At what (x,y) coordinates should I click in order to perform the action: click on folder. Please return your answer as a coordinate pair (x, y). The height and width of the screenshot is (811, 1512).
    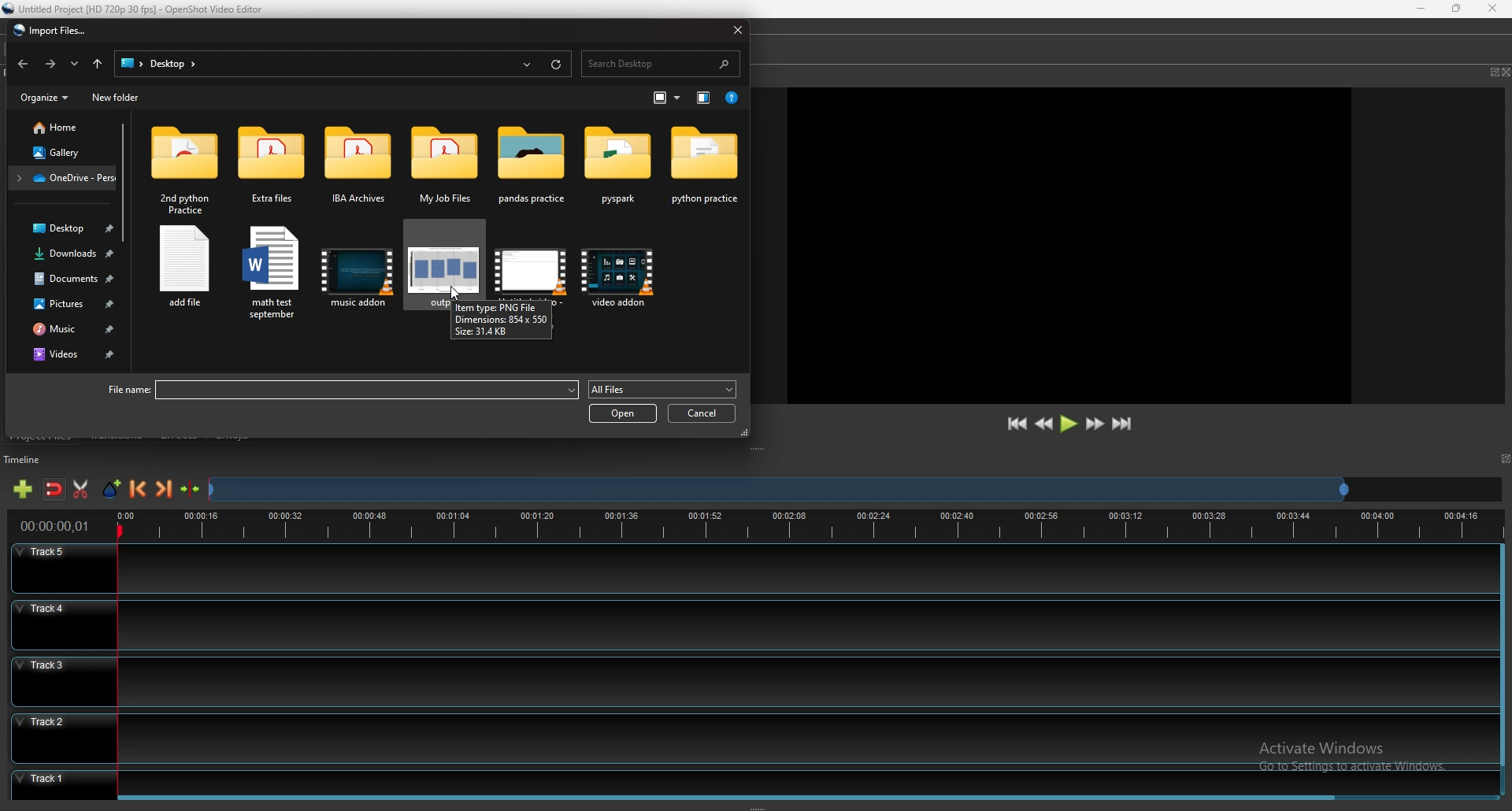
    Looking at the image, I should click on (535, 165).